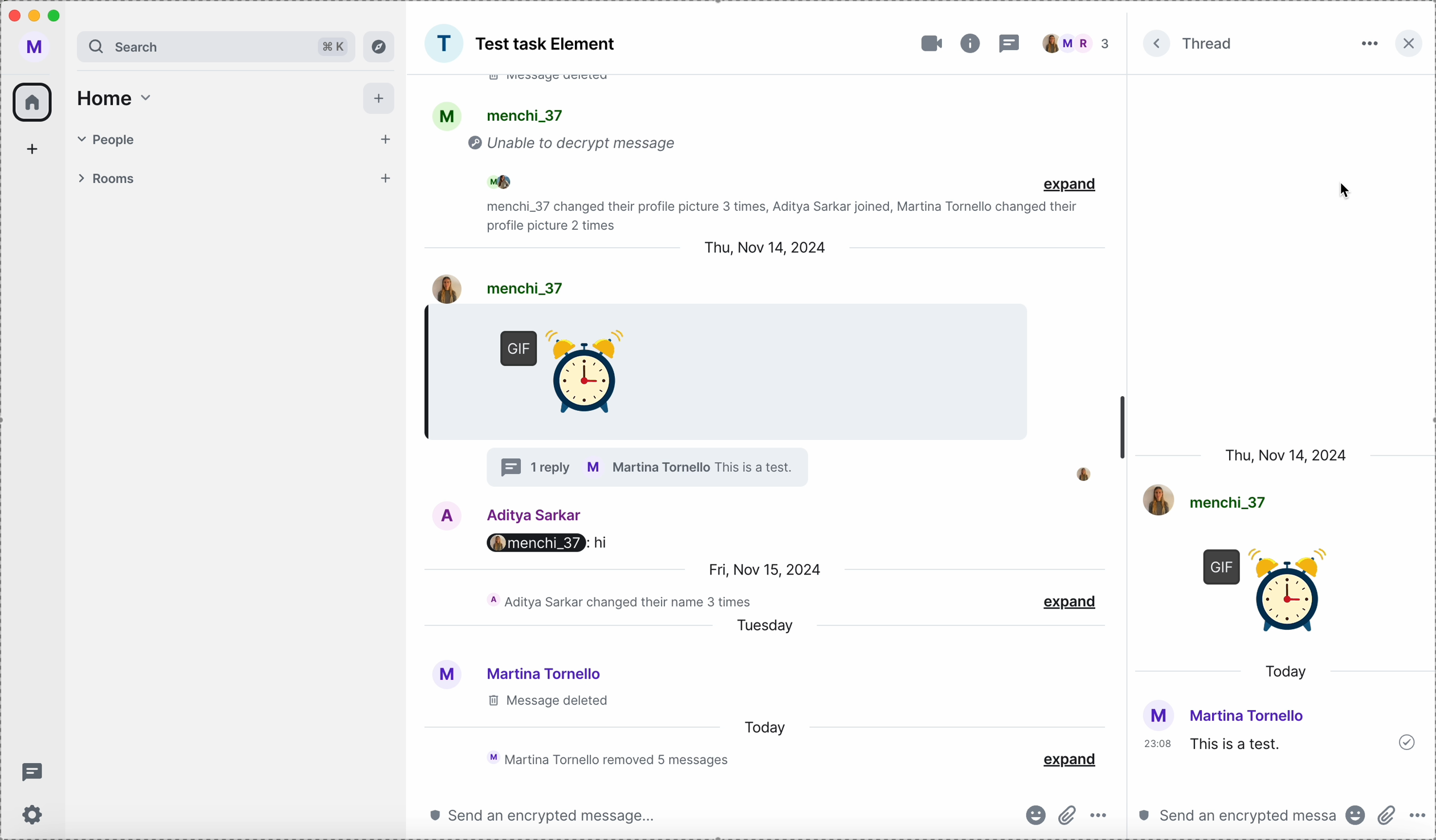 This screenshot has height=840, width=1436. I want to click on add, so click(36, 148).